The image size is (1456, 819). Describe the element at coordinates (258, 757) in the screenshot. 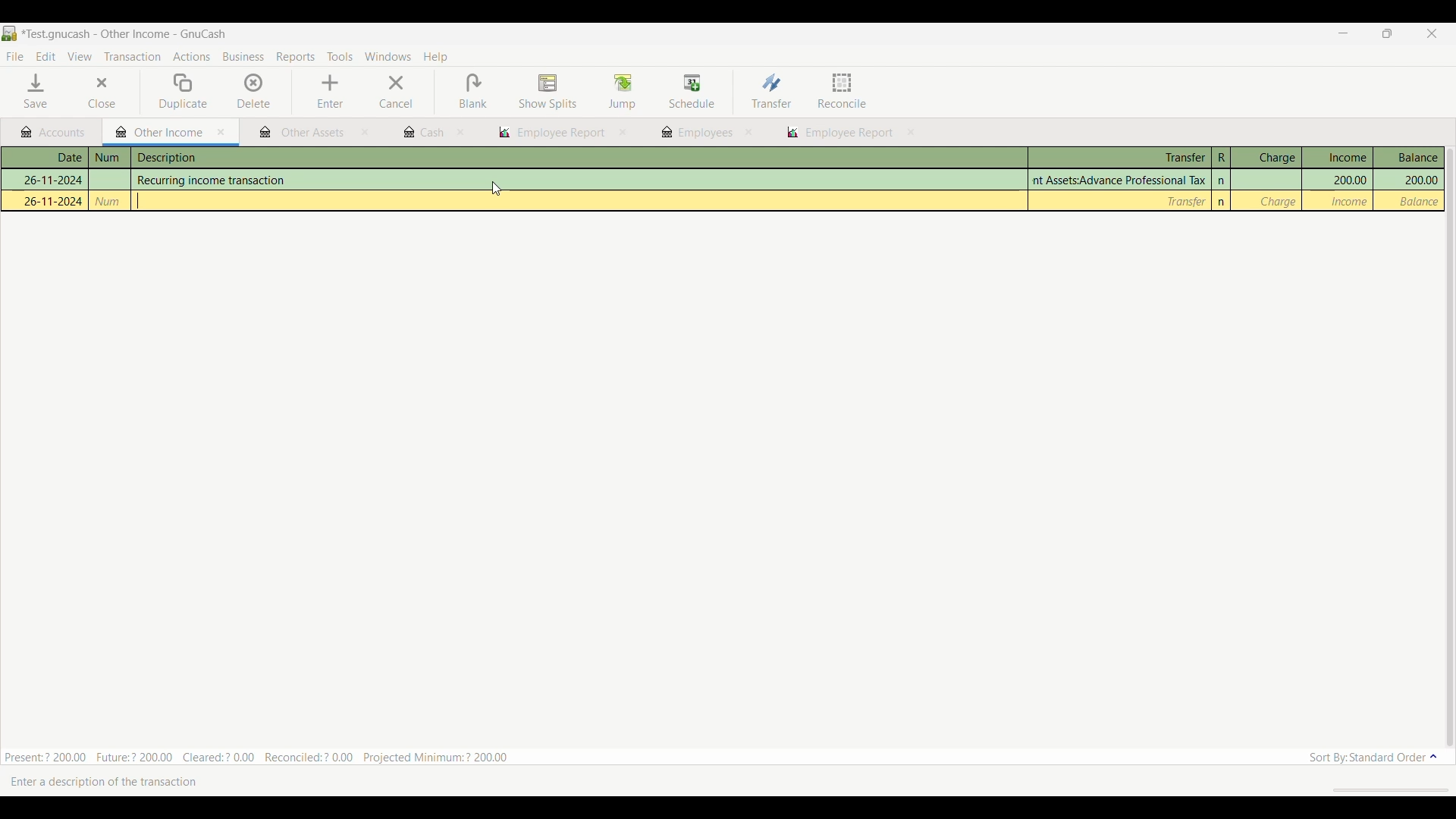

I see `Summary of current tab` at that location.